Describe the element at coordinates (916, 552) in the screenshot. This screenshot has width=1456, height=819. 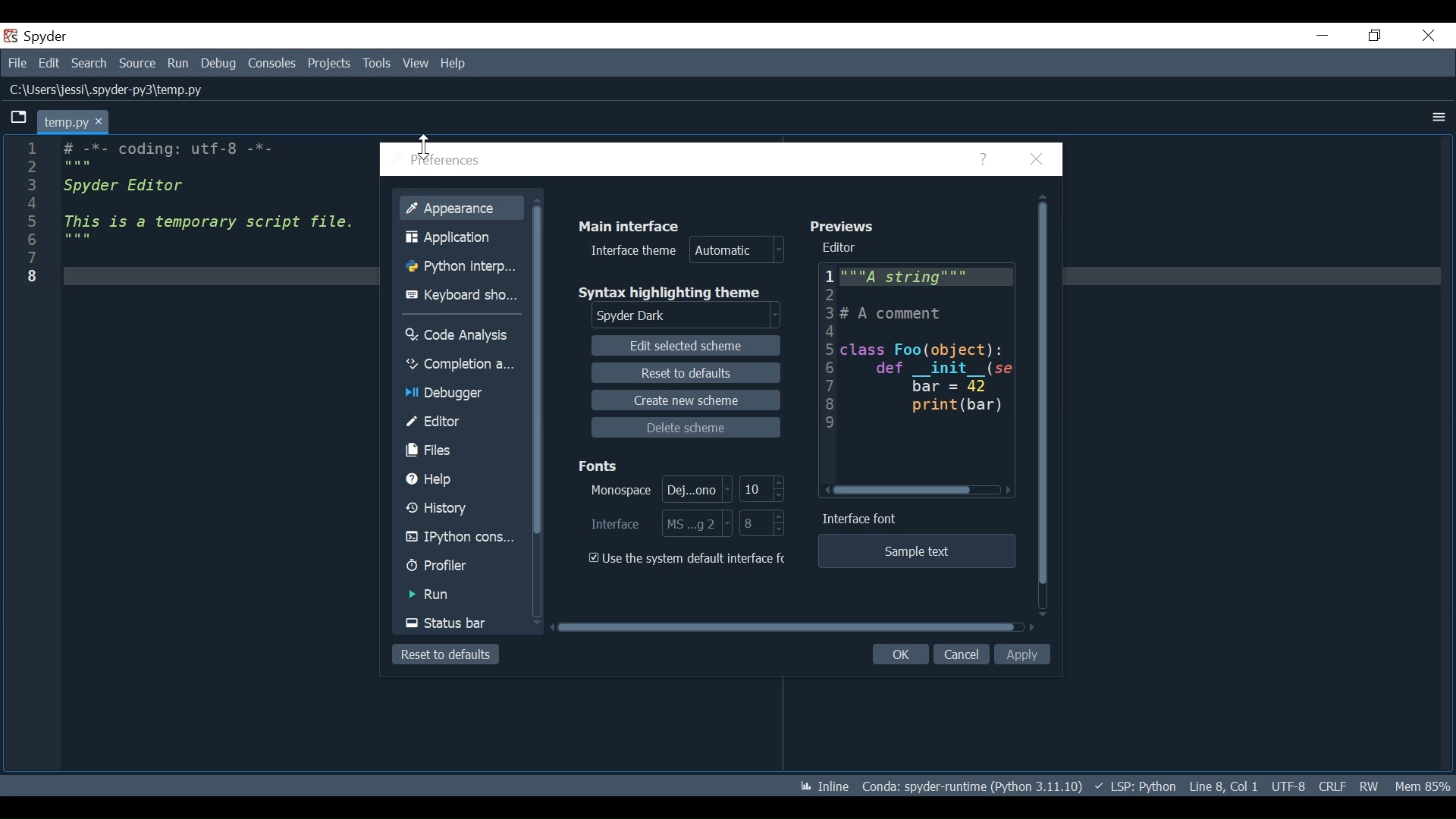
I see `Sample text` at that location.